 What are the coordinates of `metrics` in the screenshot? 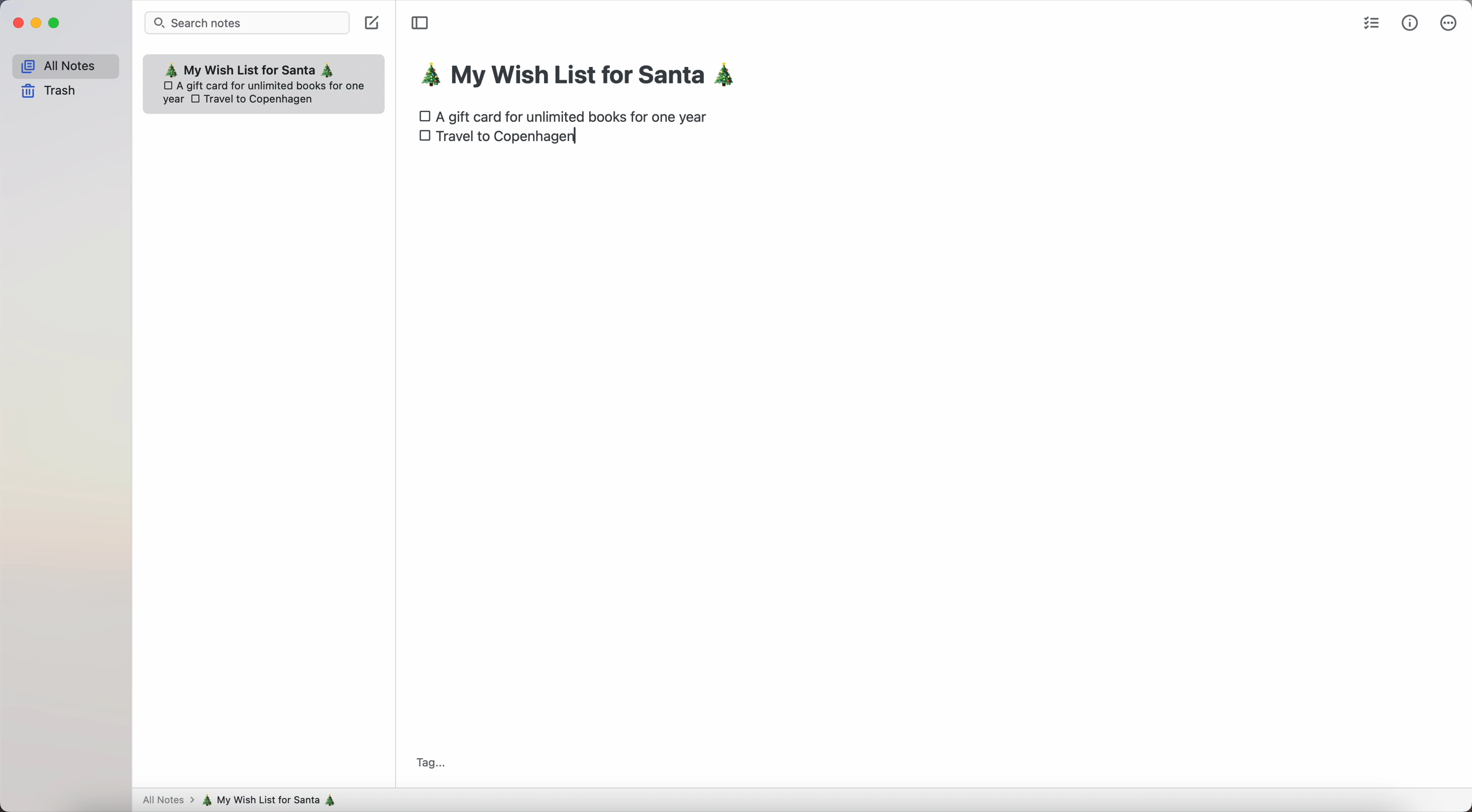 It's located at (1410, 22).